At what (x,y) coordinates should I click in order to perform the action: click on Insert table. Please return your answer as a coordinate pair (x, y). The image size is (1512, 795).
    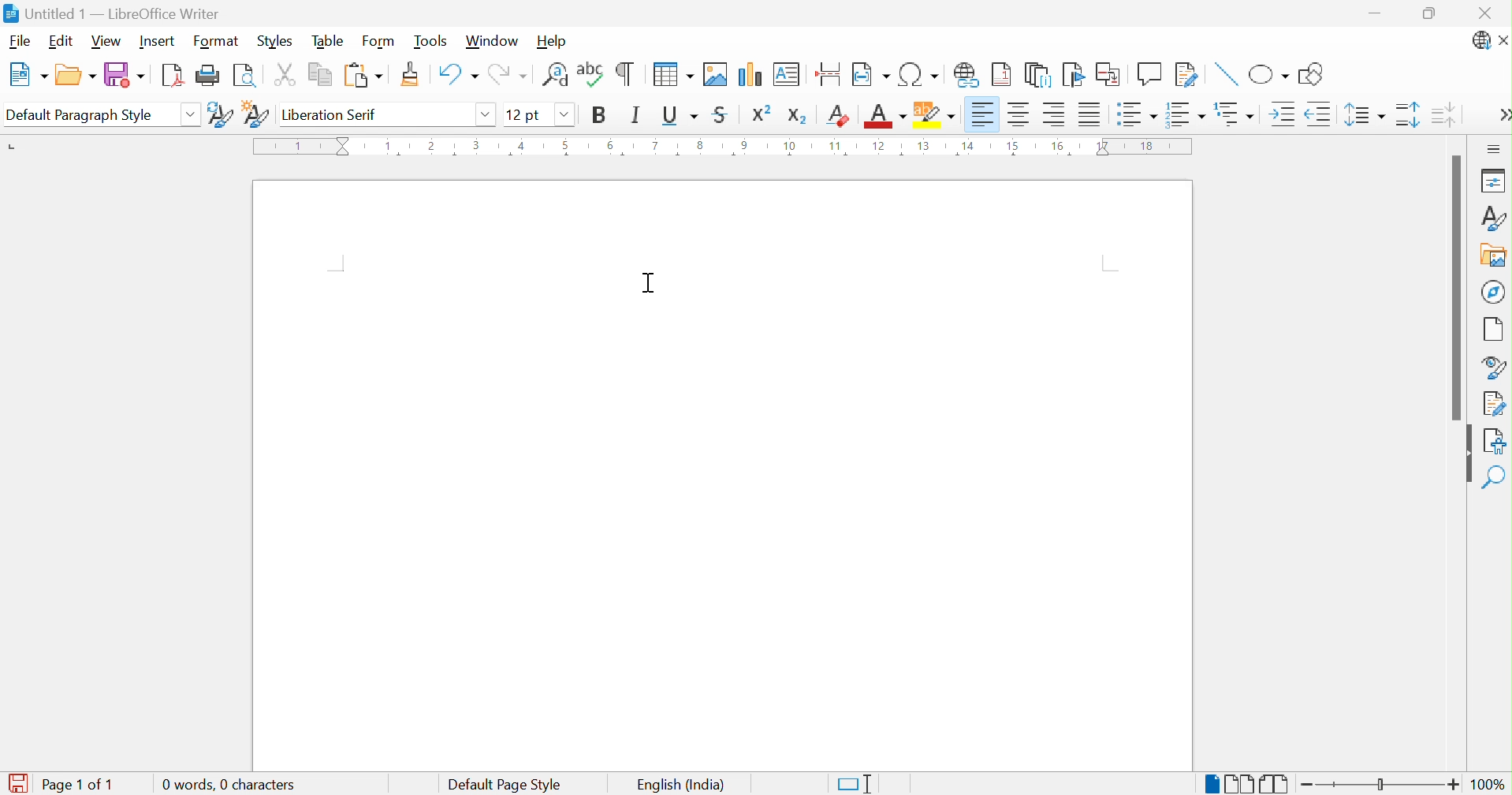
    Looking at the image, I should click on (676, 73).